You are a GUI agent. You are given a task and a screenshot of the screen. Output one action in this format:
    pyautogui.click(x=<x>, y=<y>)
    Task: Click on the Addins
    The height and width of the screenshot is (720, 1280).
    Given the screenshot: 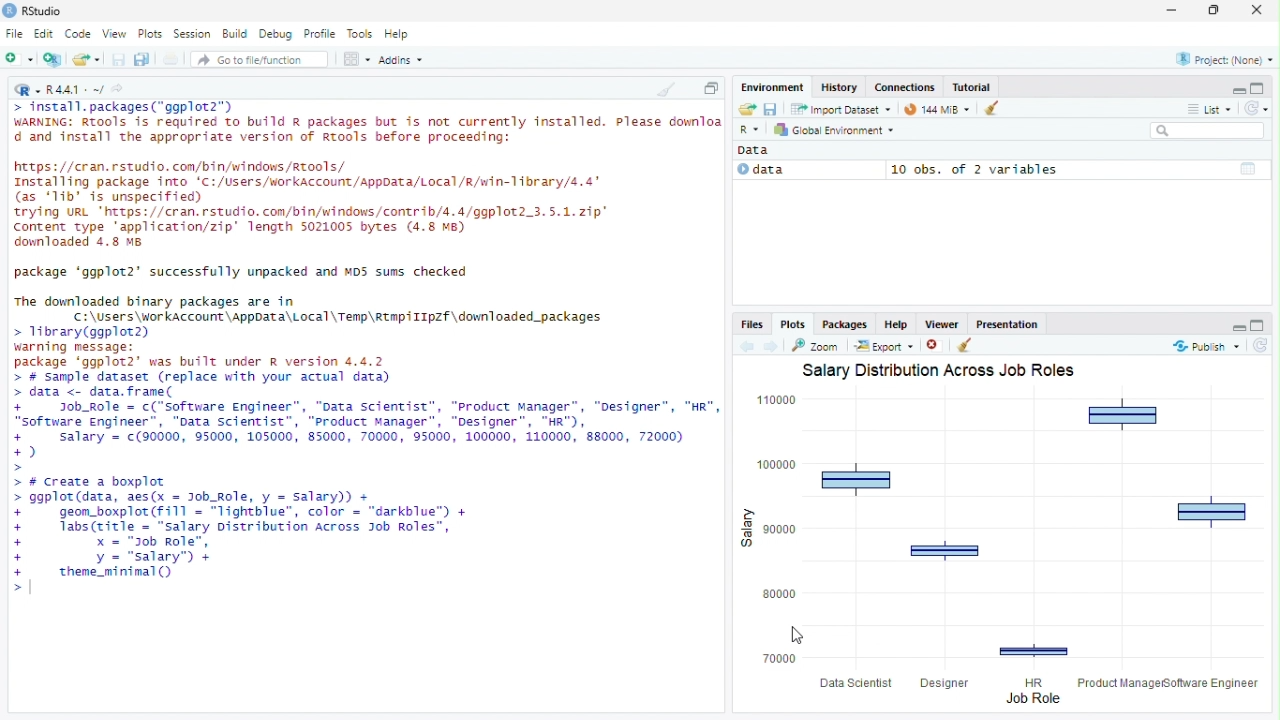 What is the action you would take?
    pyautogui.click(x=400, y=58)
    